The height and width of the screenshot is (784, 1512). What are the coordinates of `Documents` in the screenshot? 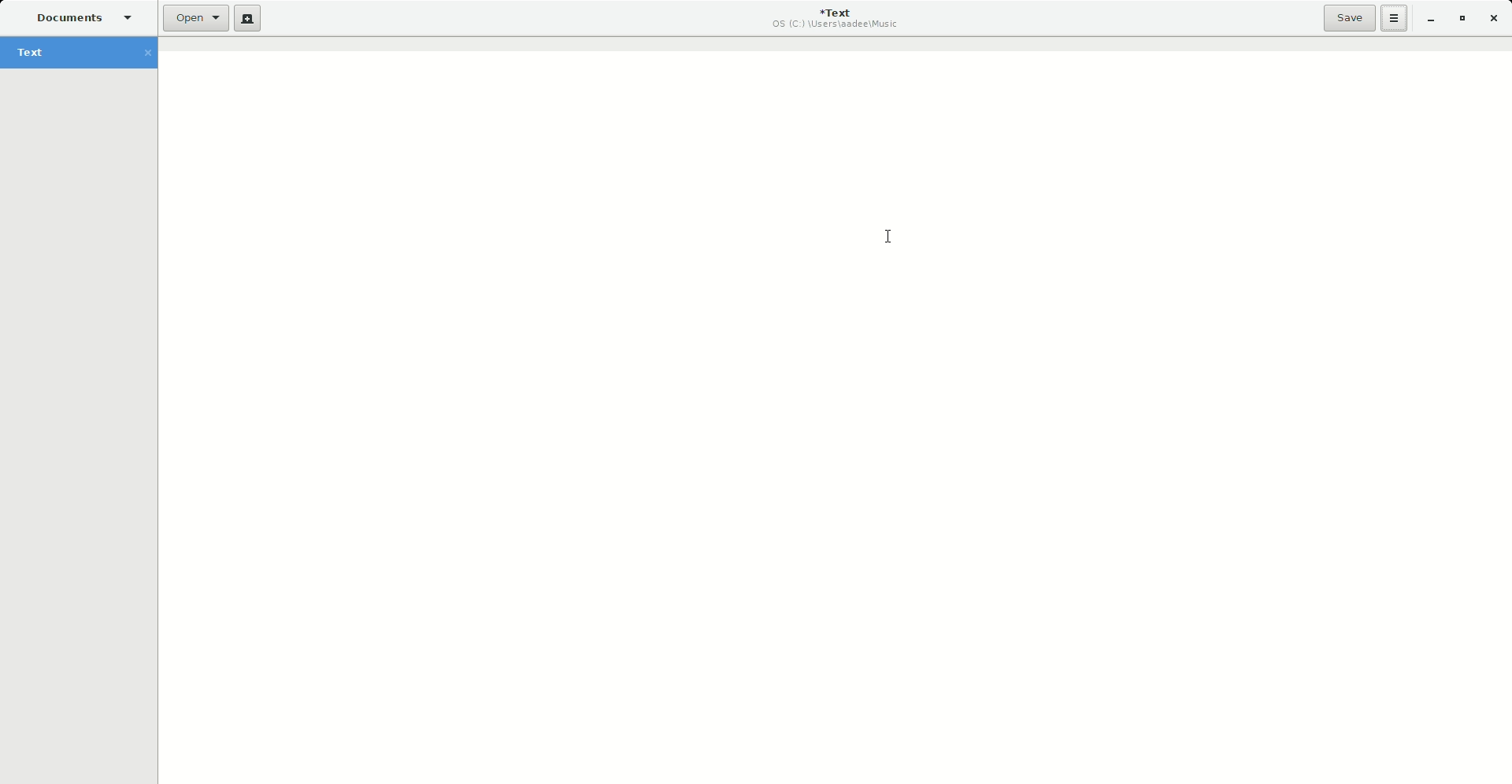 It's located at (77, 17).